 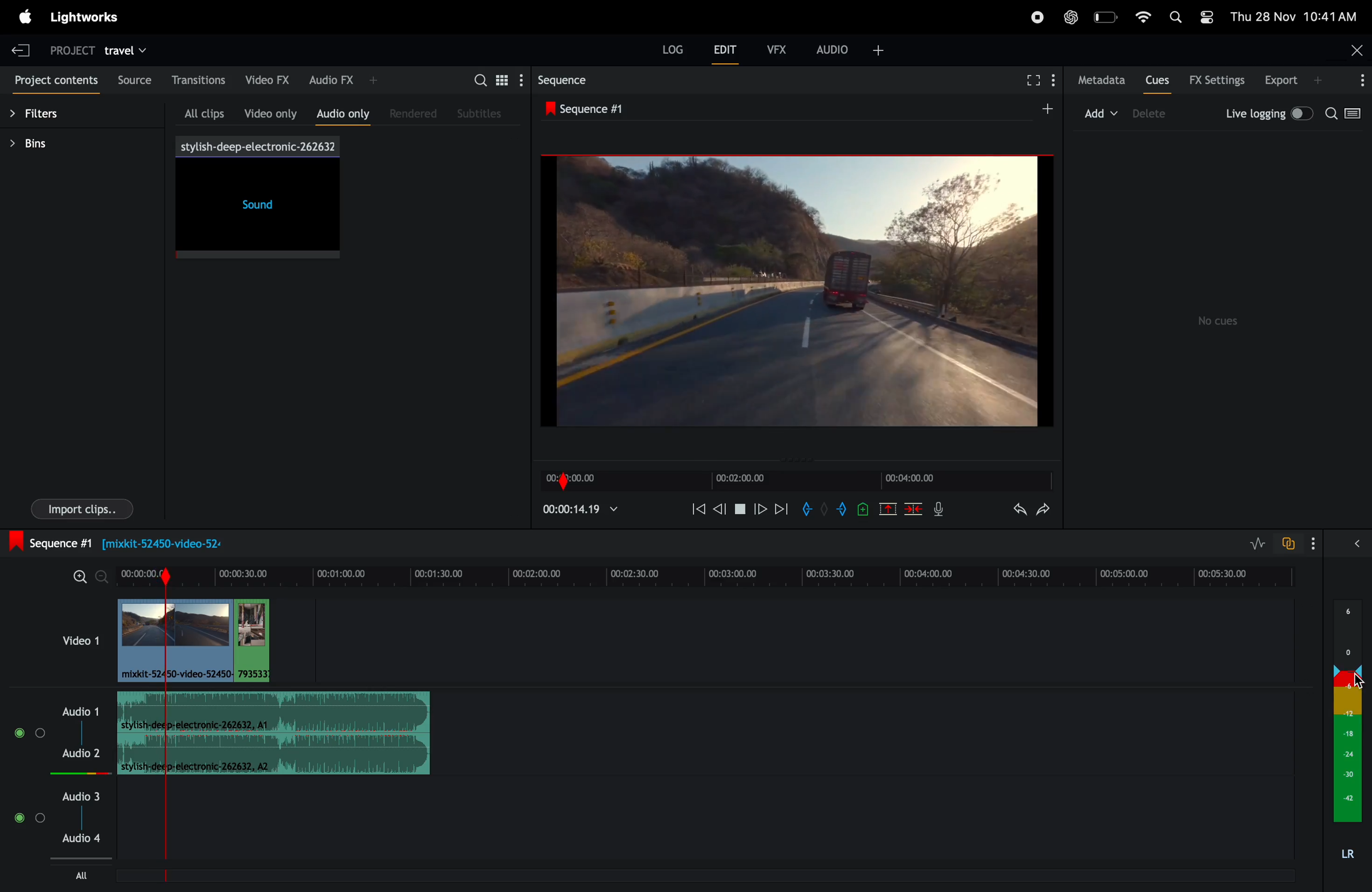 What do you see at coordinates (1220, 320) in the screenshot?
I see `no cues` at bounding box center [1220, 320].